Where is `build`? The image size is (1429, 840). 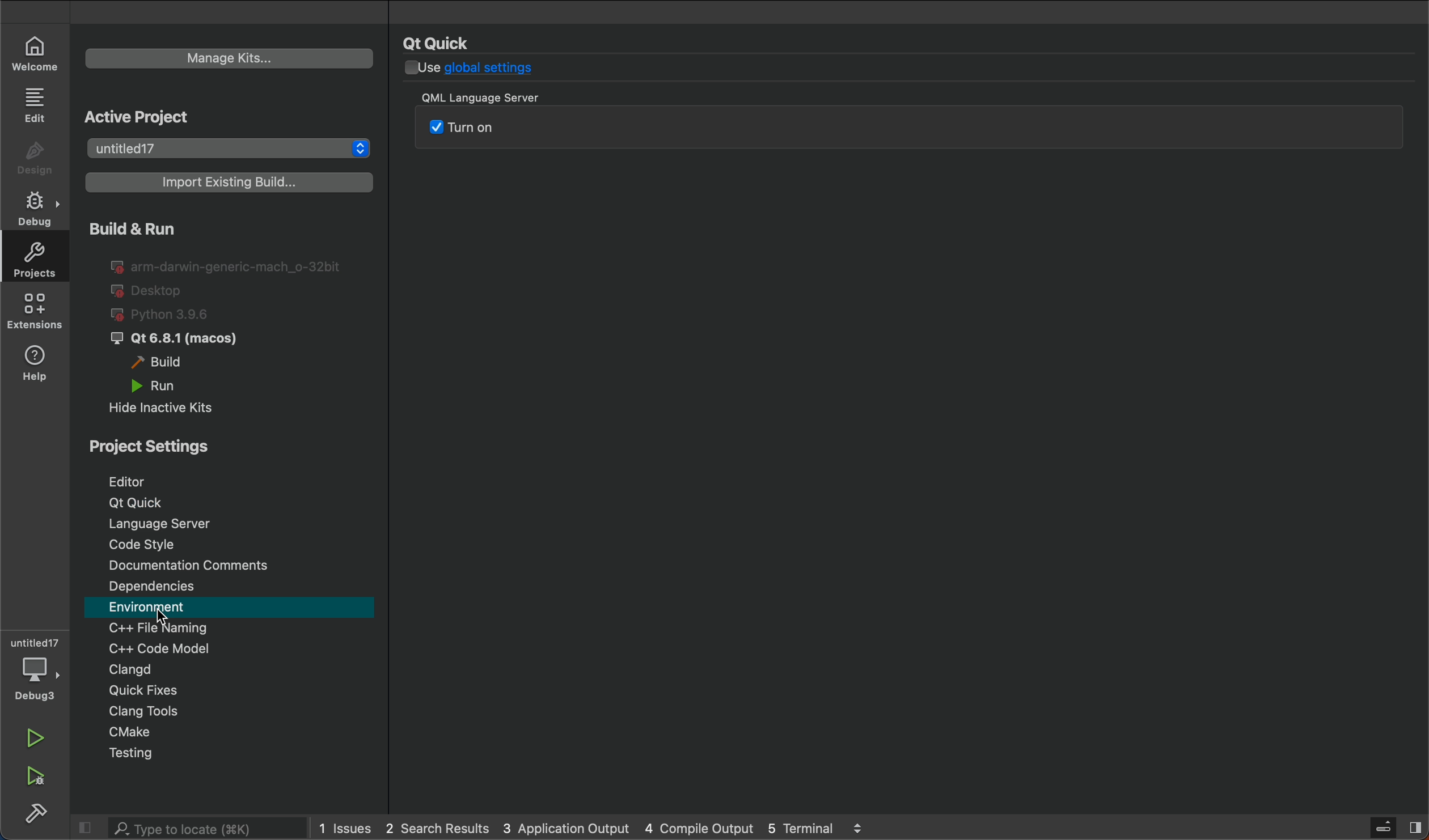
build is located at coordinates (166, 363).